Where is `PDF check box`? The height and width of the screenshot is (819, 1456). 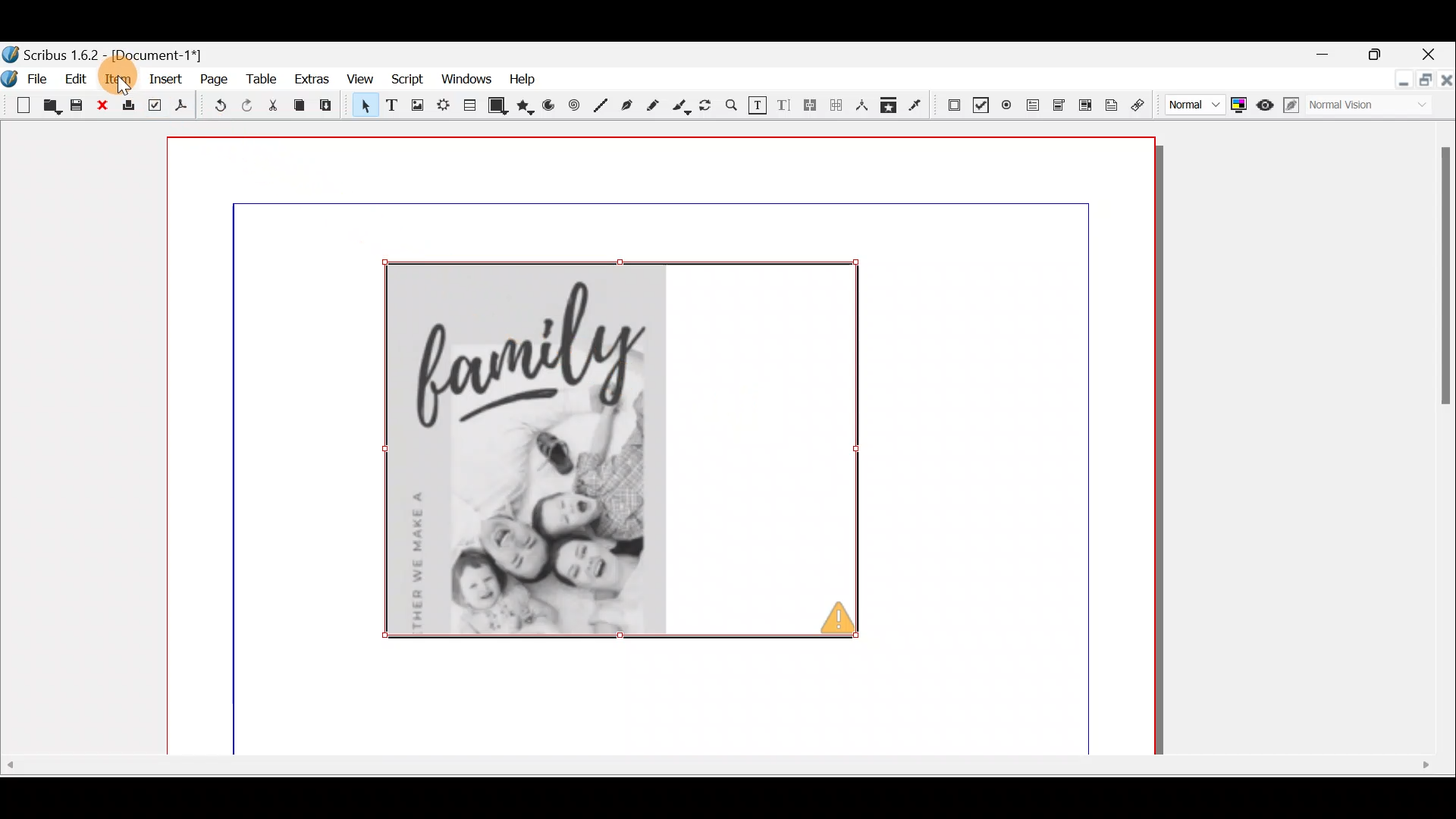 PDF check box is located at coordinates (980, 102).